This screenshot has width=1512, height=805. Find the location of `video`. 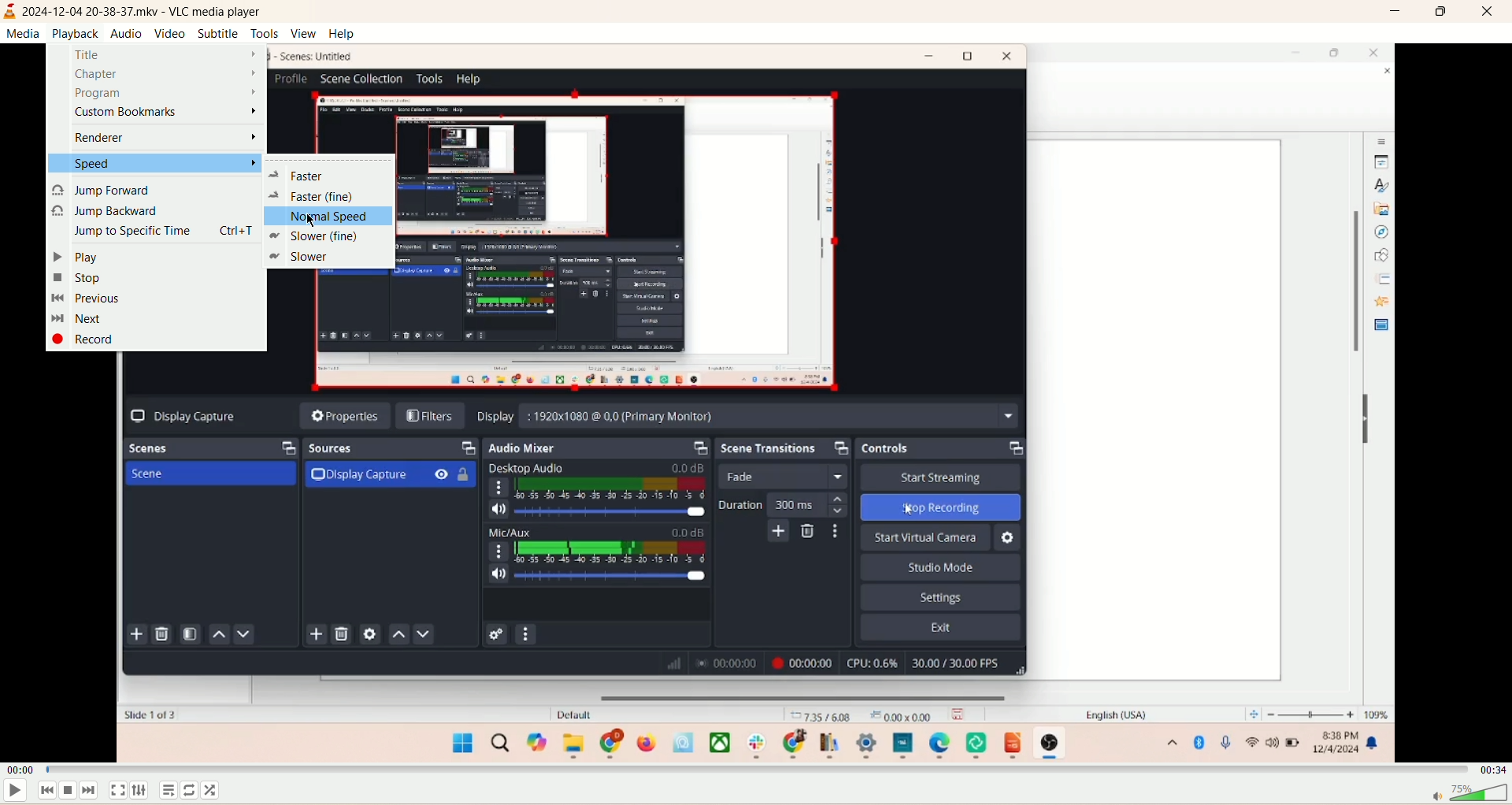

video is located at coordinates (170, 34).